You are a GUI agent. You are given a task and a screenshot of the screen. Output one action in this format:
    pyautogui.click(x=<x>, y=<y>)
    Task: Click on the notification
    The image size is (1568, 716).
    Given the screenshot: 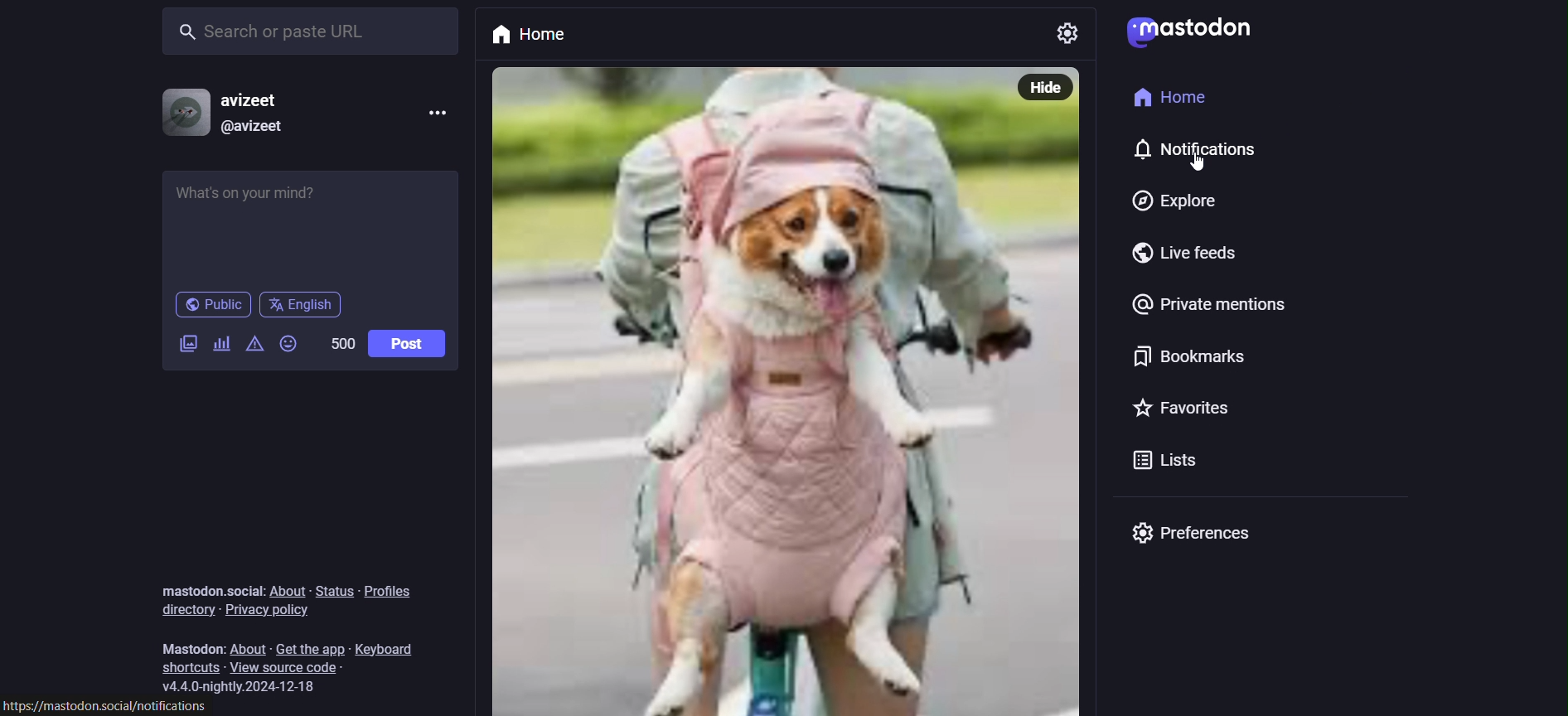 What is the action you would take?
    pyautogui.click(x=1210, y=154)
    